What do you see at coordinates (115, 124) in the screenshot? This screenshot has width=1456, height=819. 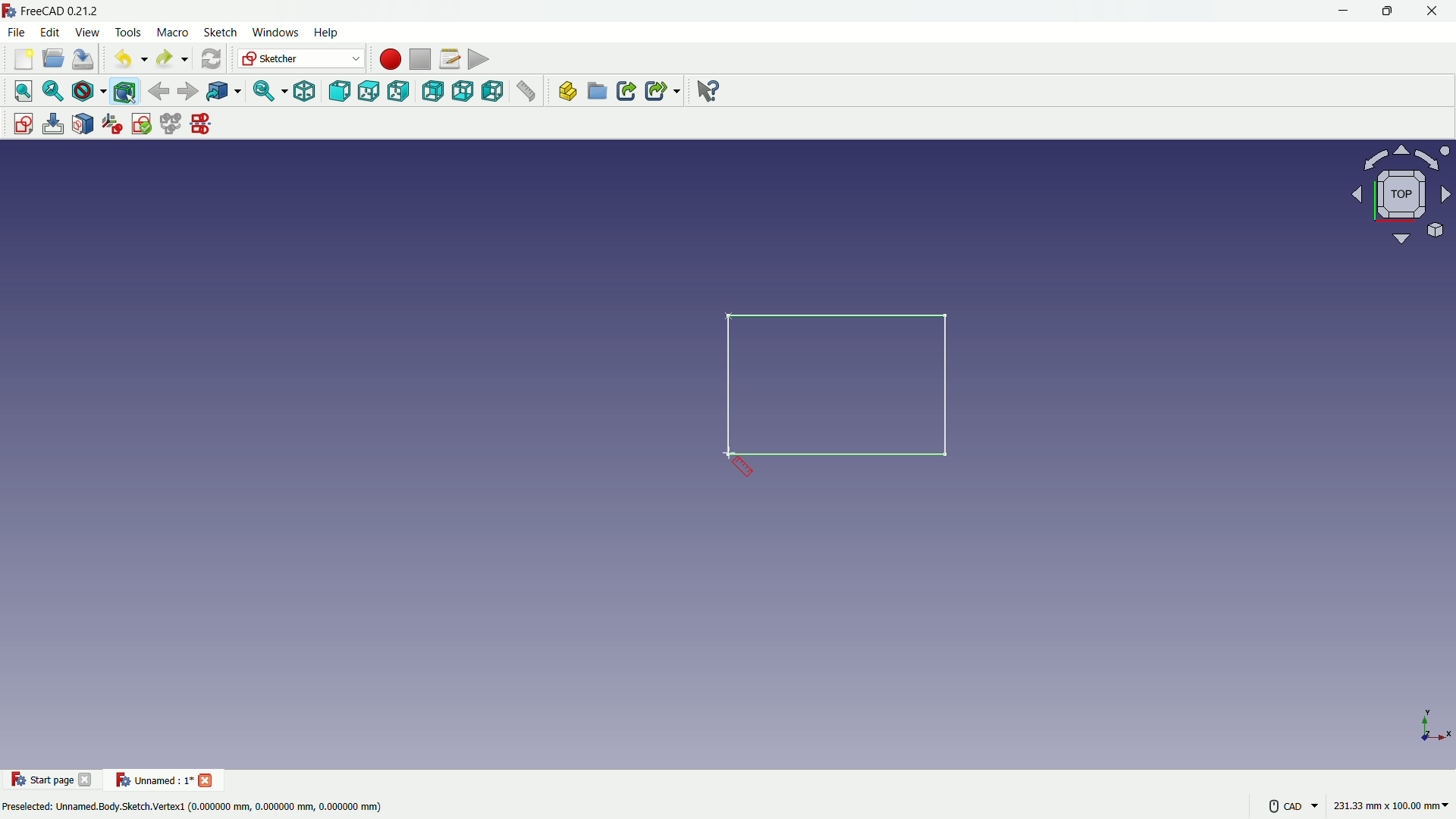 I see `reorient sketches` at bounding box center [115, 124].